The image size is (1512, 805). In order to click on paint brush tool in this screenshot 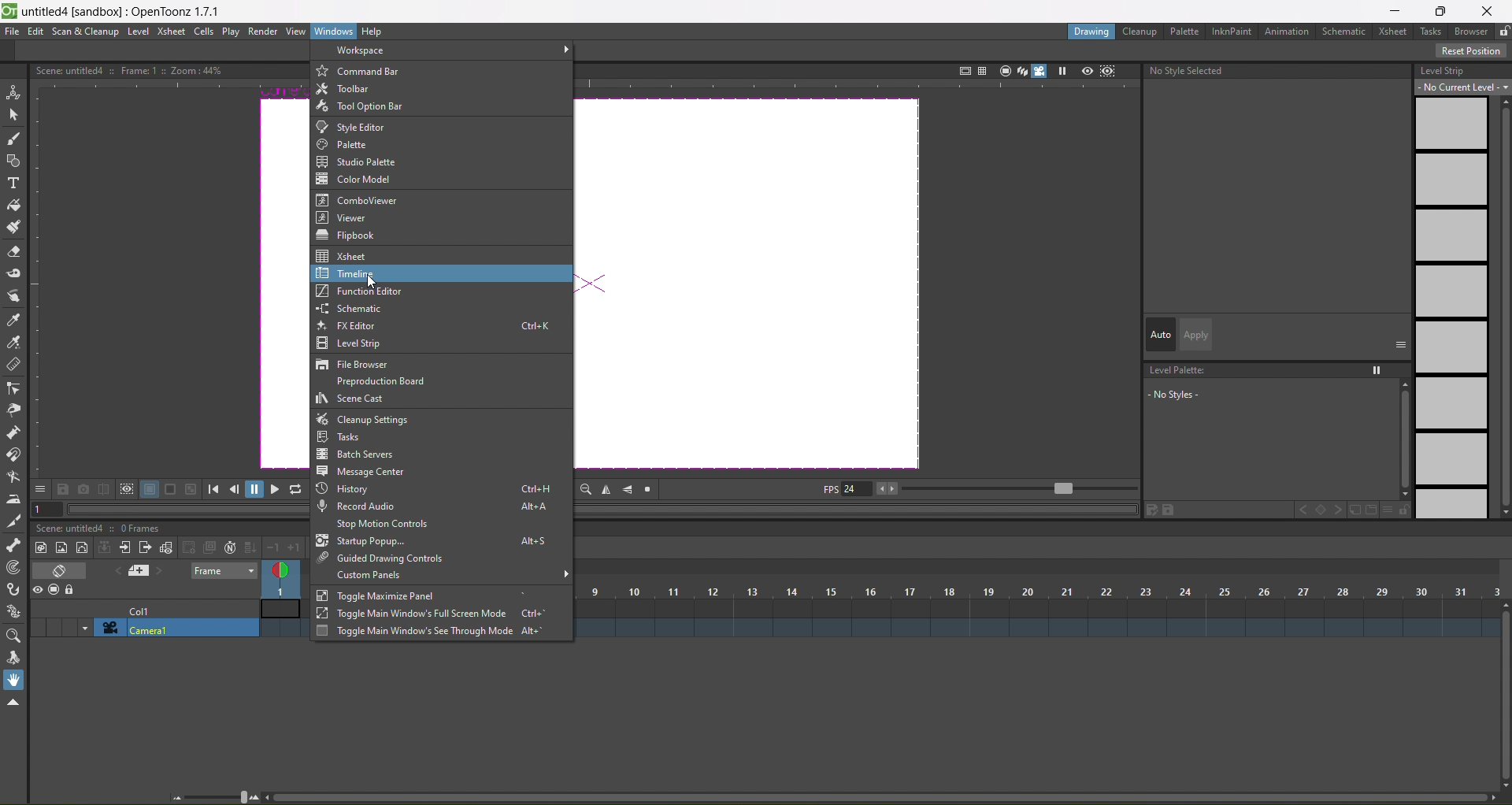, I will do `click(15, 228)`.